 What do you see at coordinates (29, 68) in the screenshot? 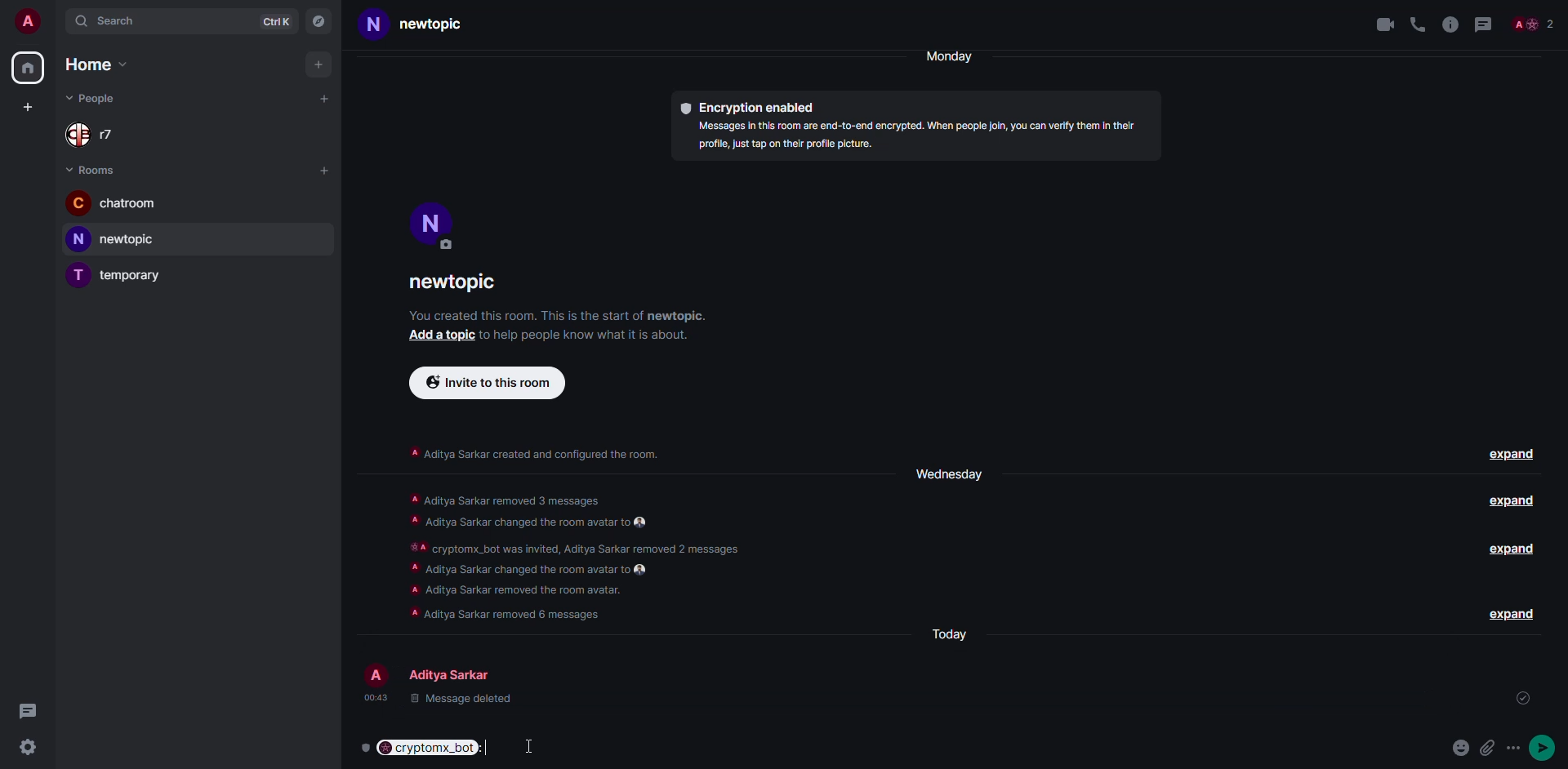
I see `home` at bounding box center [29, 68].